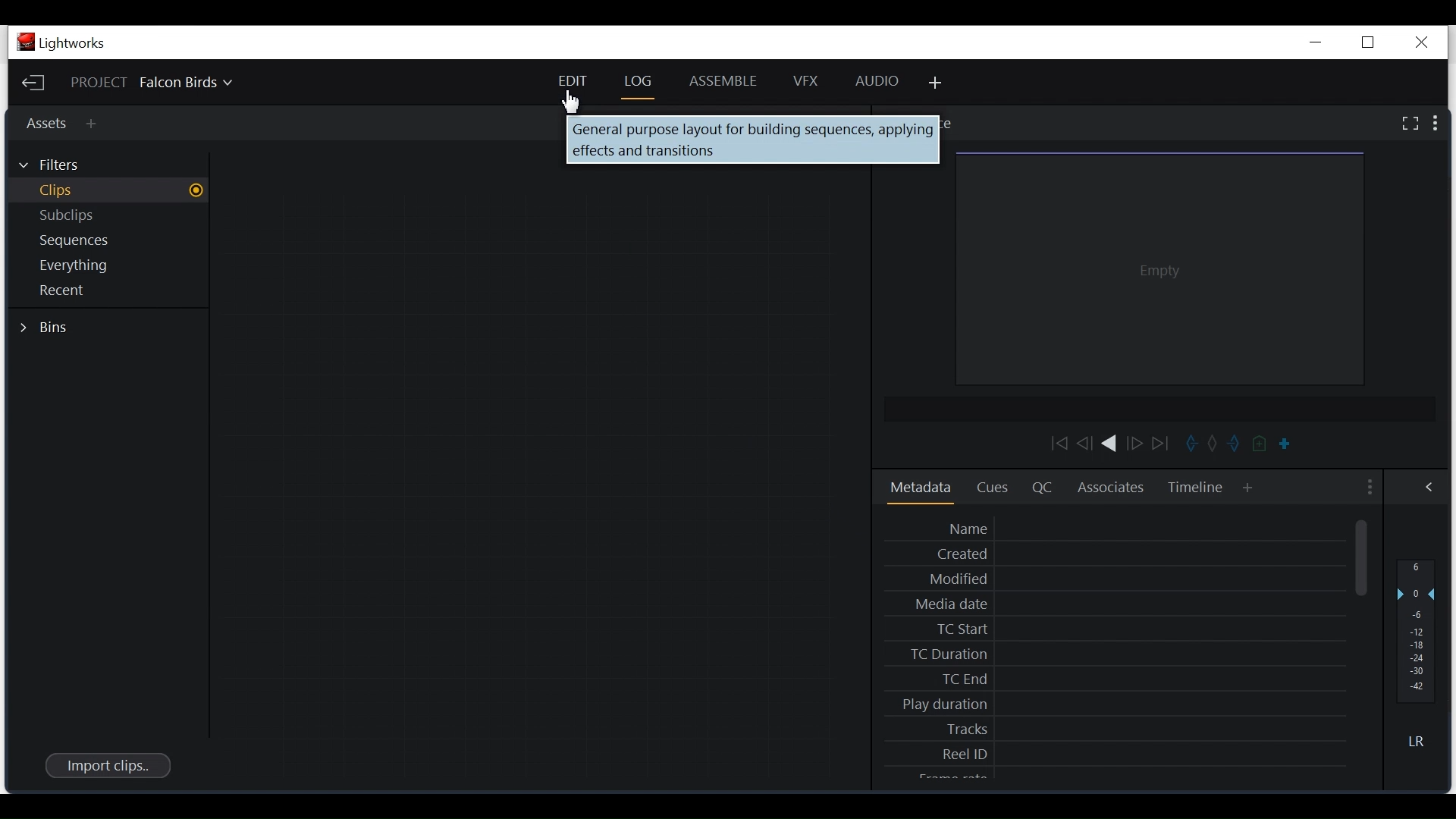 The height and width of the screenshot is (819, 1456). Describe the element at coordinates (108, 190) in the screenshot. I see `Show Clips within the project` at that location.